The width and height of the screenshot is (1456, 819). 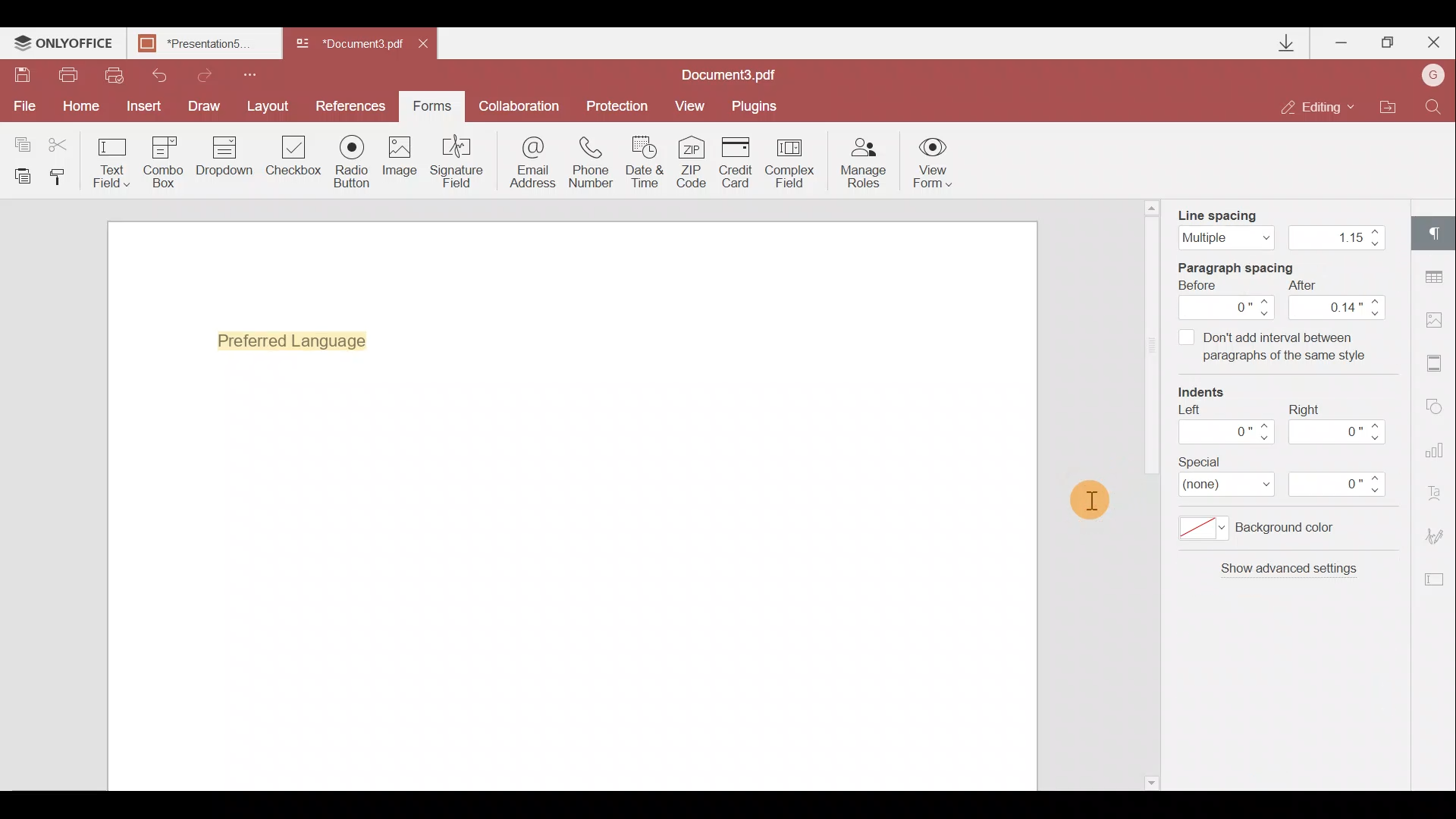 What do you see at coordinates (1438, 316) in the screenshot?
I see `Image settings` at bounding box center [1438, 316].